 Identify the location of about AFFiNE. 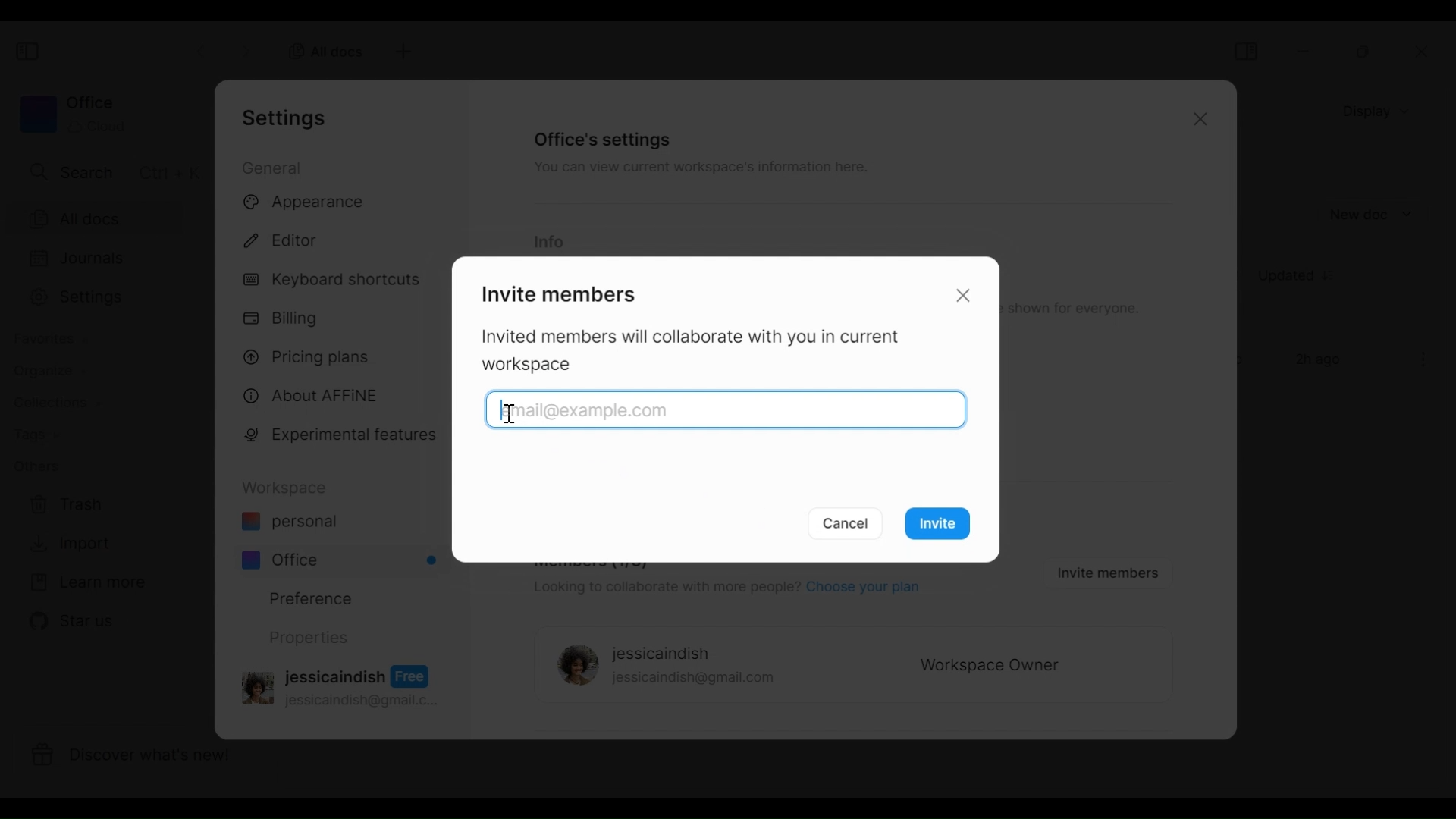
(312, 397).